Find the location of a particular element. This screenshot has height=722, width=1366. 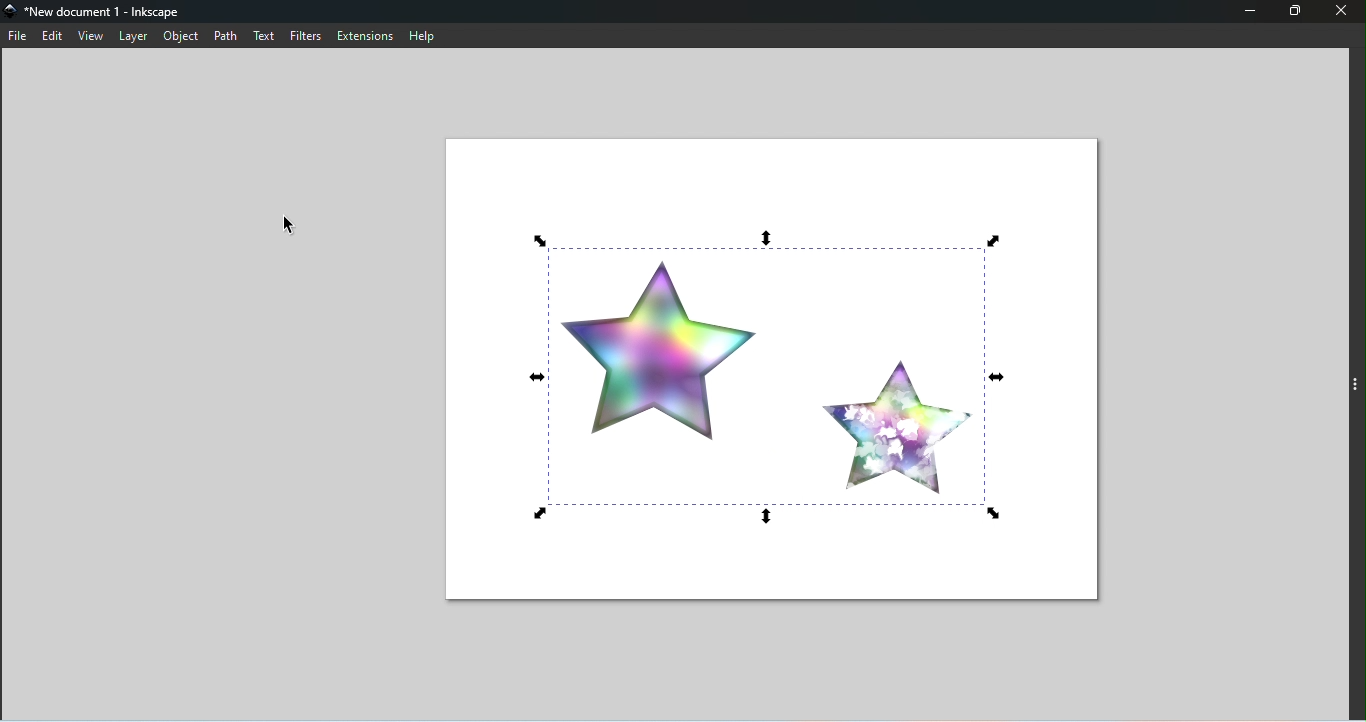

Close is located at coordinates (1342, 12).